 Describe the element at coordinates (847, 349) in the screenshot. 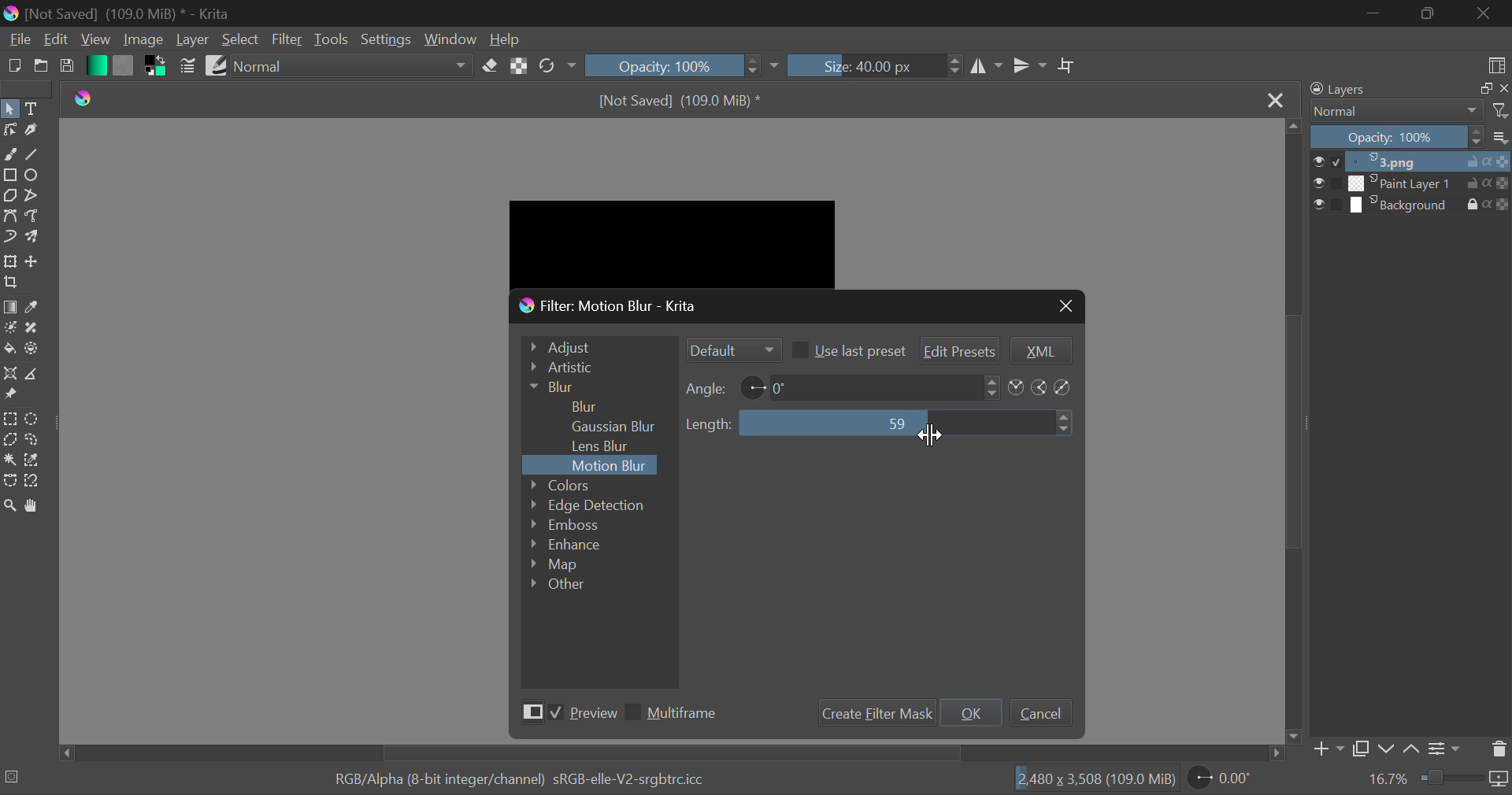

I see `Use last preset` at that location.